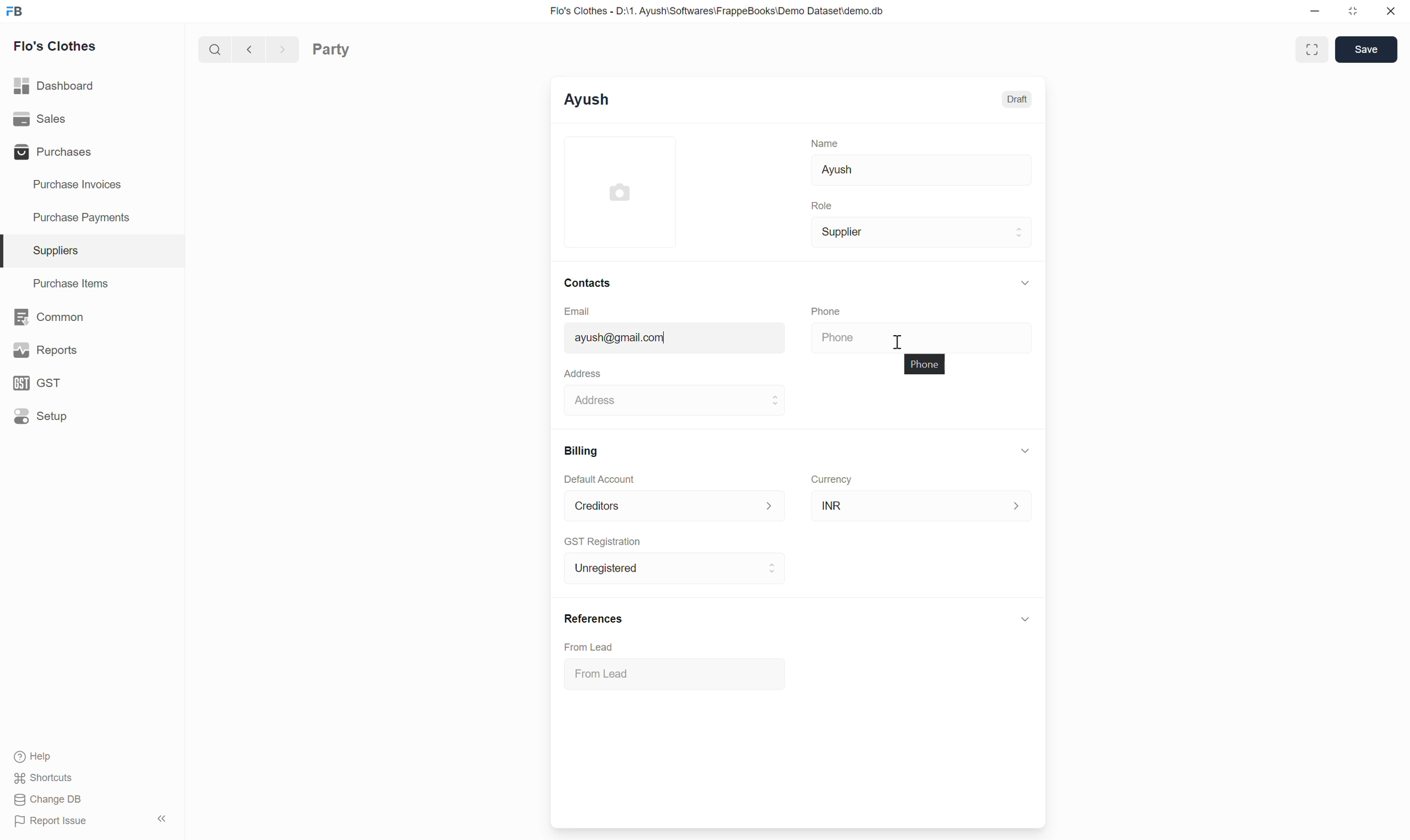 The width and height of the screenshot is (1410, 840). Describe the element at coordinates (92, 284) in the screenshot. I see `Purchase Items` at that location.